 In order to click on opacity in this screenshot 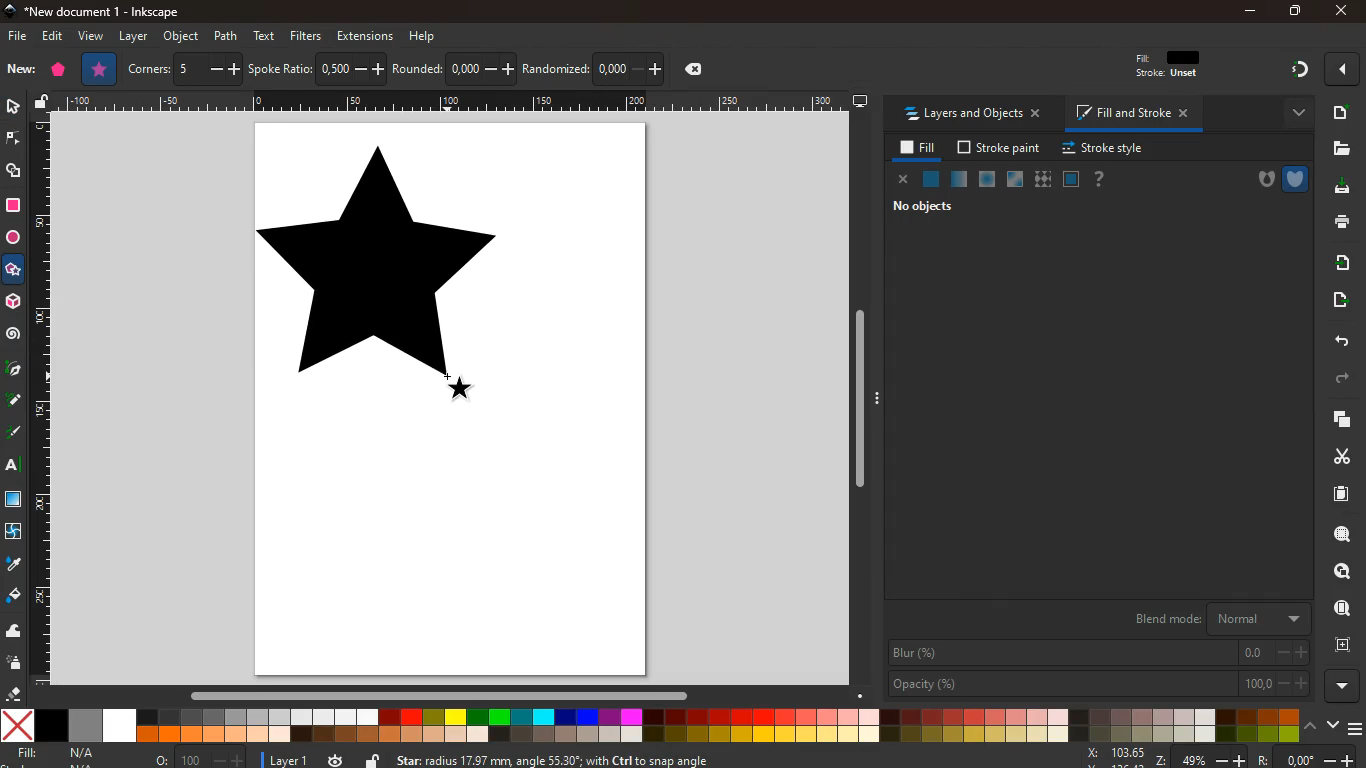, I will do `click(960, 182)`.